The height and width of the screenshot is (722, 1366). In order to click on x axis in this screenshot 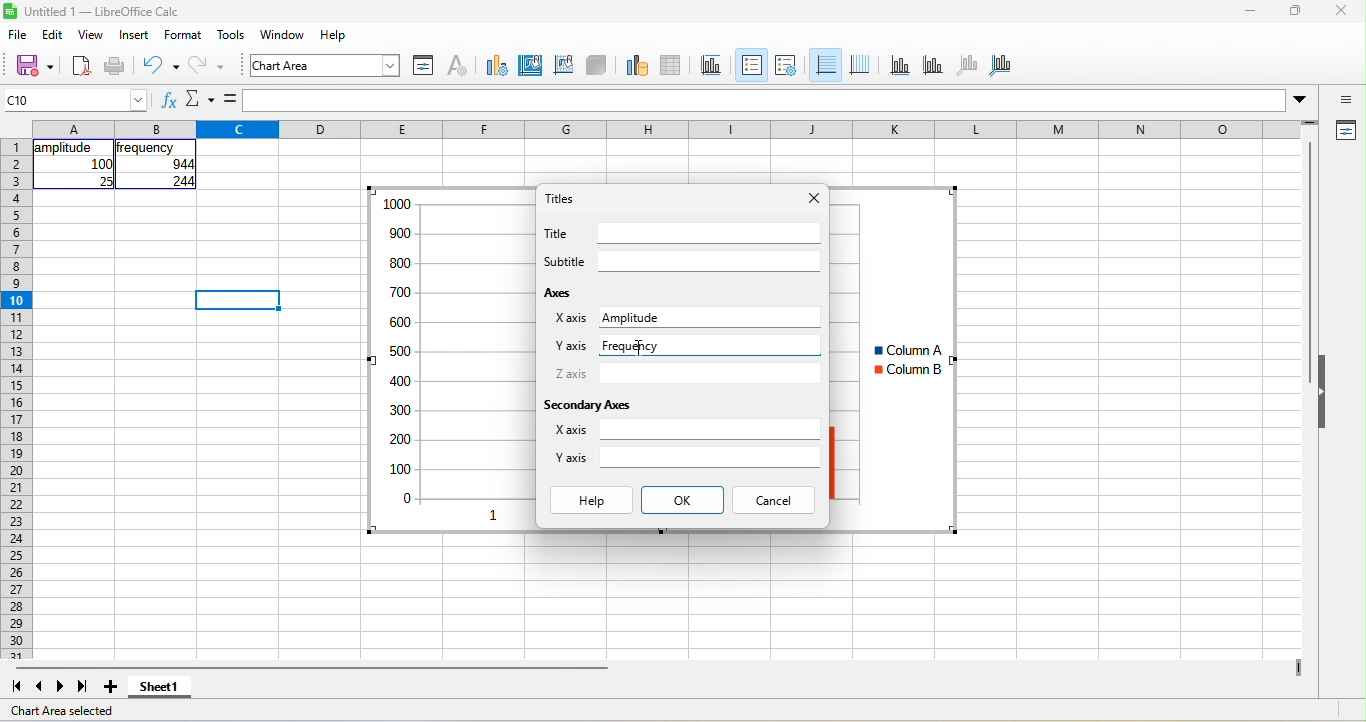, I will do `click(900, 66)`.